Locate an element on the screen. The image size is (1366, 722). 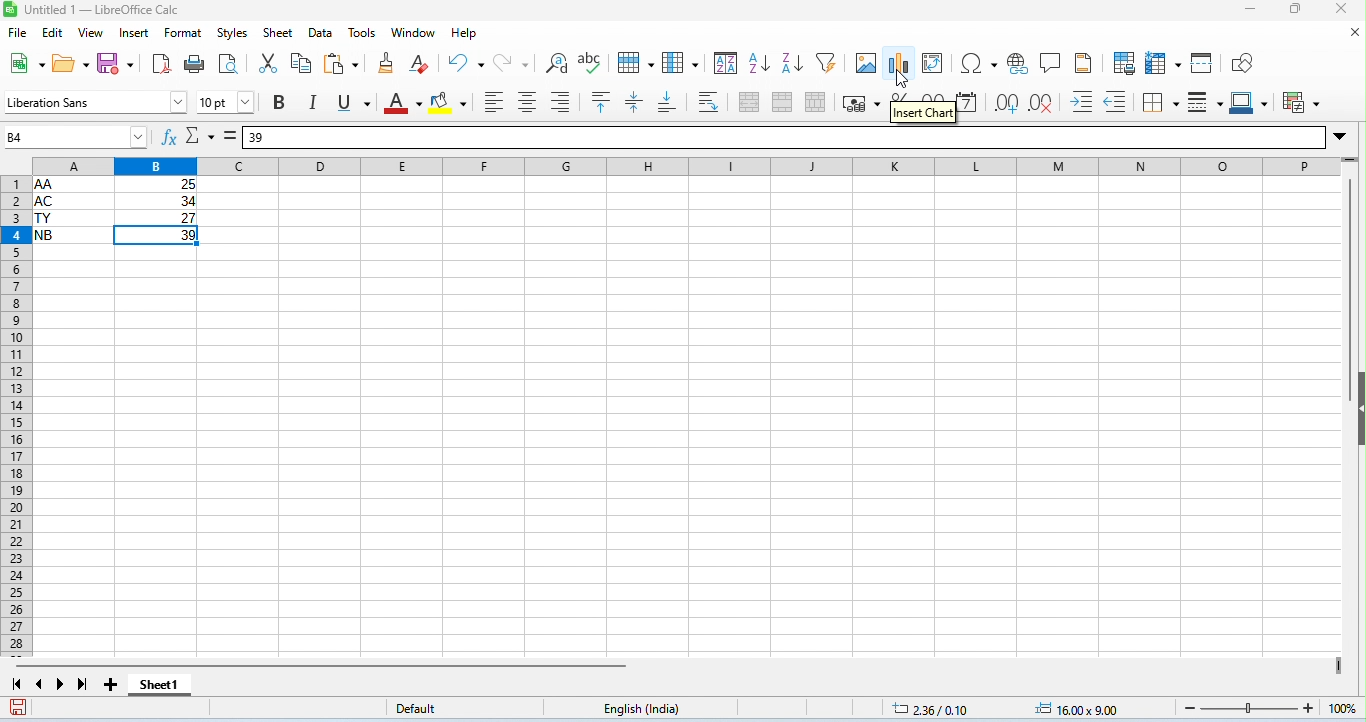
close is located at coordinates (1339, 9).